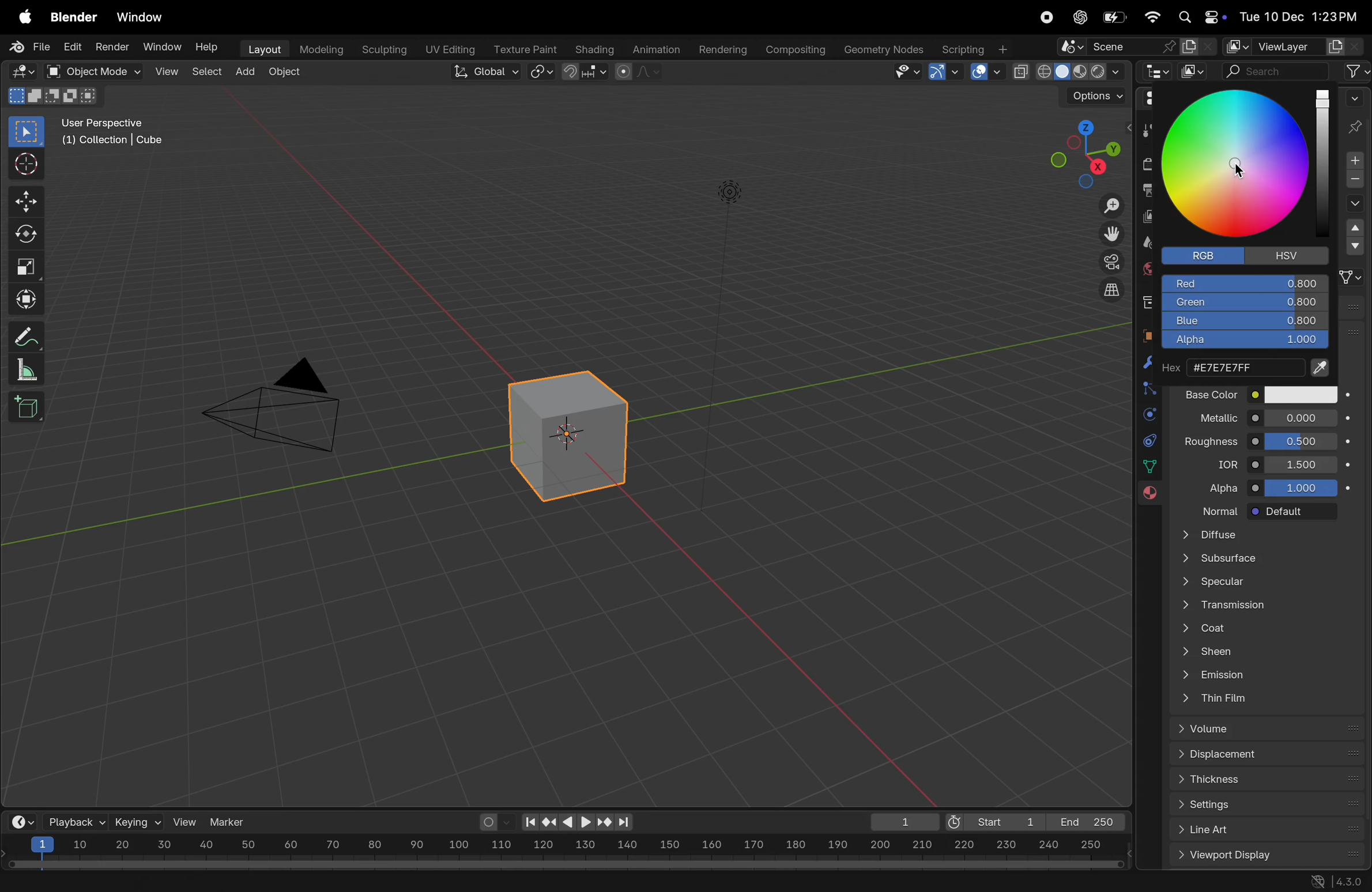  Describe the element at coordinates (209, 48) in the screenshot. I see `Help` at that location.